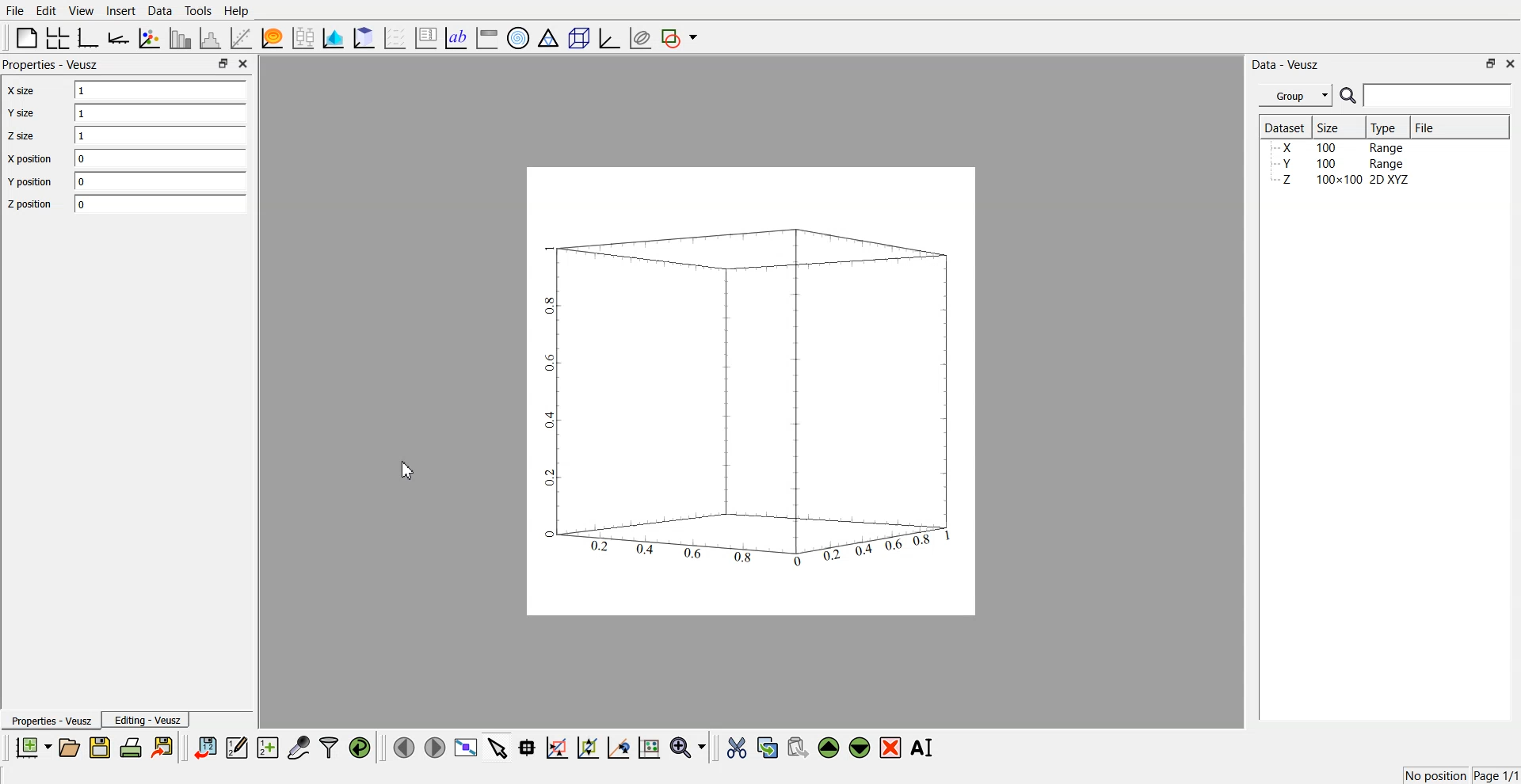 The image size is (1521, 784). Describe the element at coordinates (798, 746) in the screenshot. I see `Paste widget from the clipboard` at that location.